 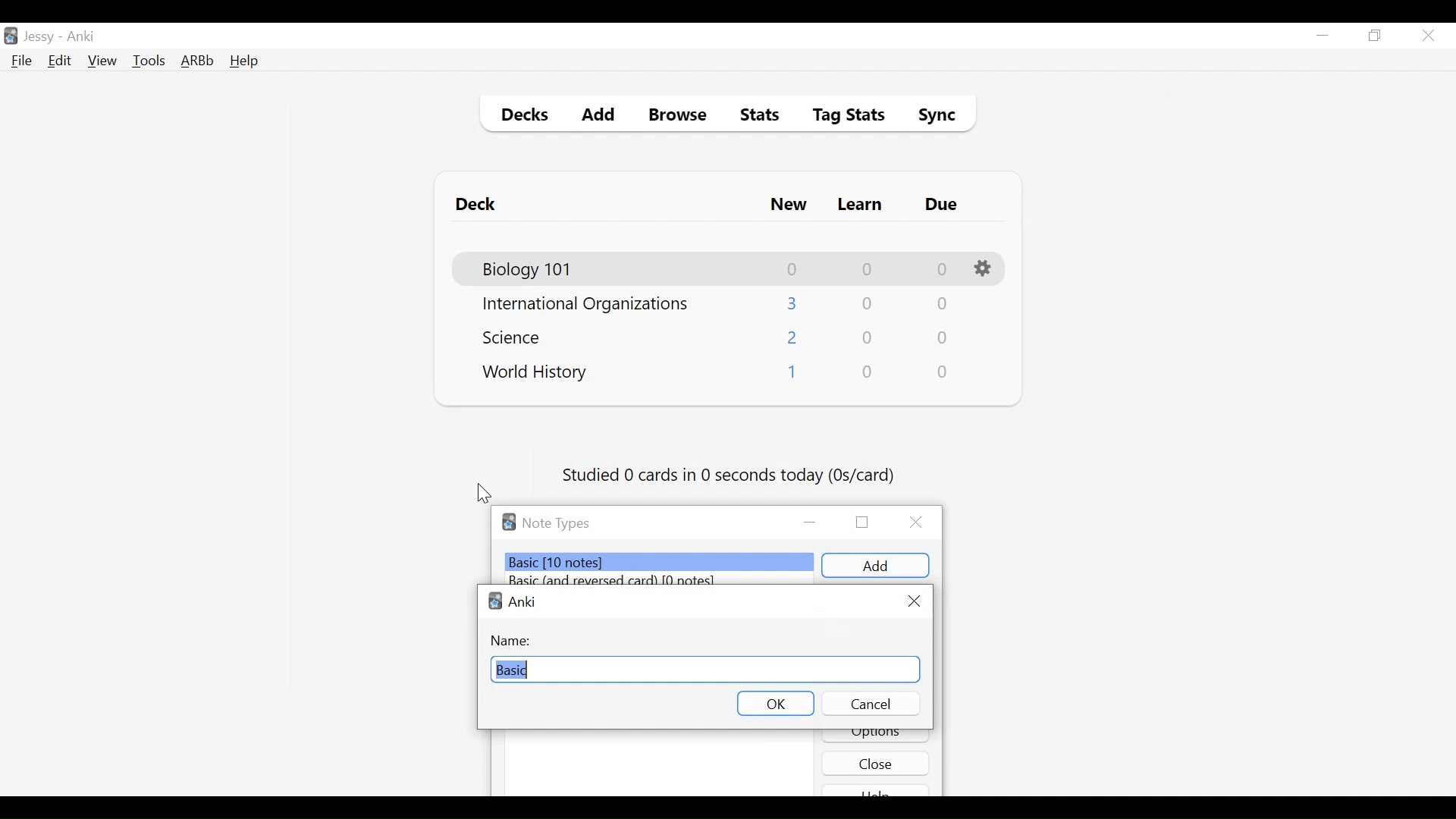 What do you see at coordinates (706, 667) in the screenshot?
I see `Field Name` at bounding box center [706, 667].